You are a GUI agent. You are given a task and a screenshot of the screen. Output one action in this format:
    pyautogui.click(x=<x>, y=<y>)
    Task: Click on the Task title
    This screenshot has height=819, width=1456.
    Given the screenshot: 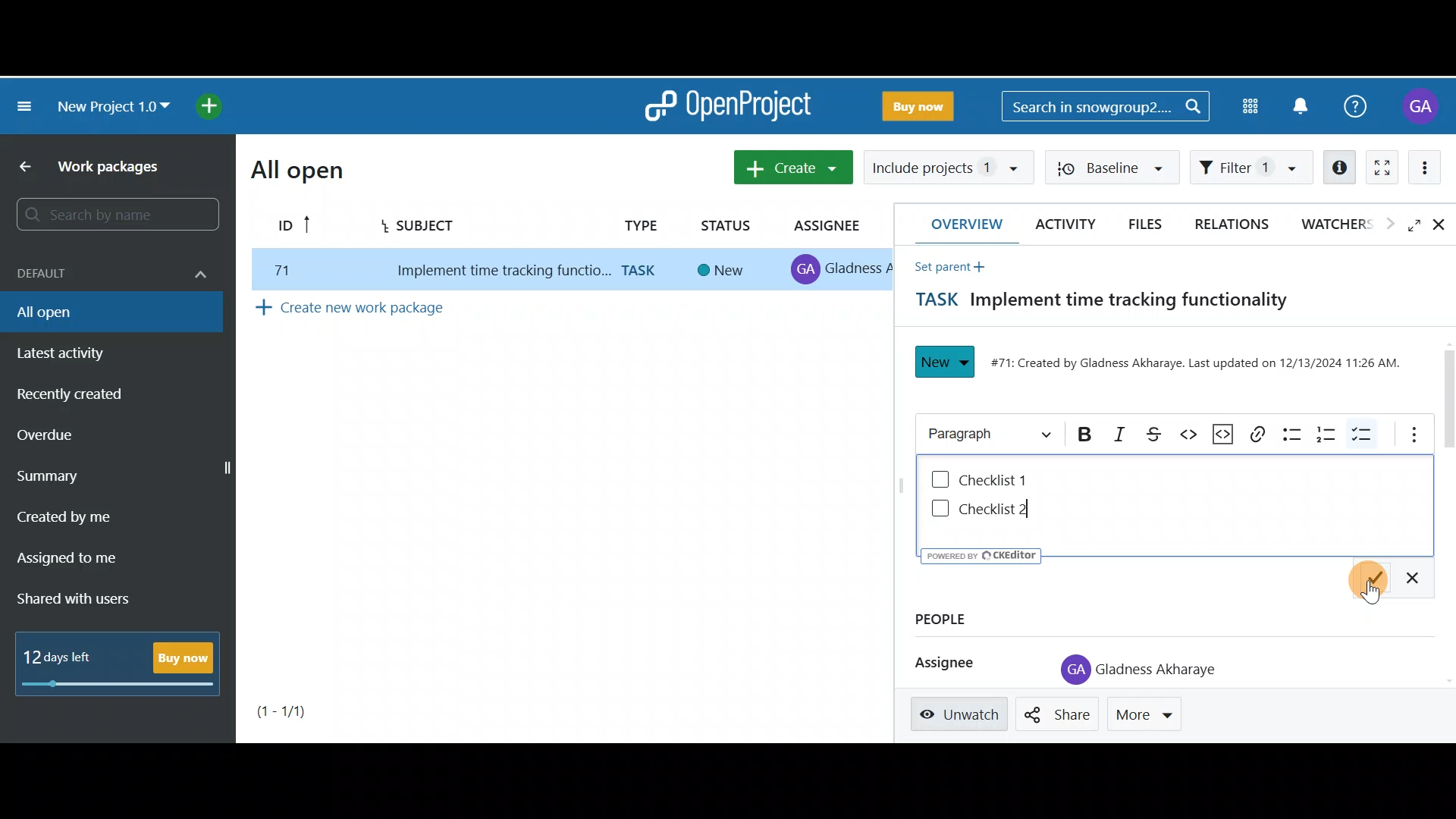 What is the action you would take?
    pyautogui.click(x=1091, y=303)
    